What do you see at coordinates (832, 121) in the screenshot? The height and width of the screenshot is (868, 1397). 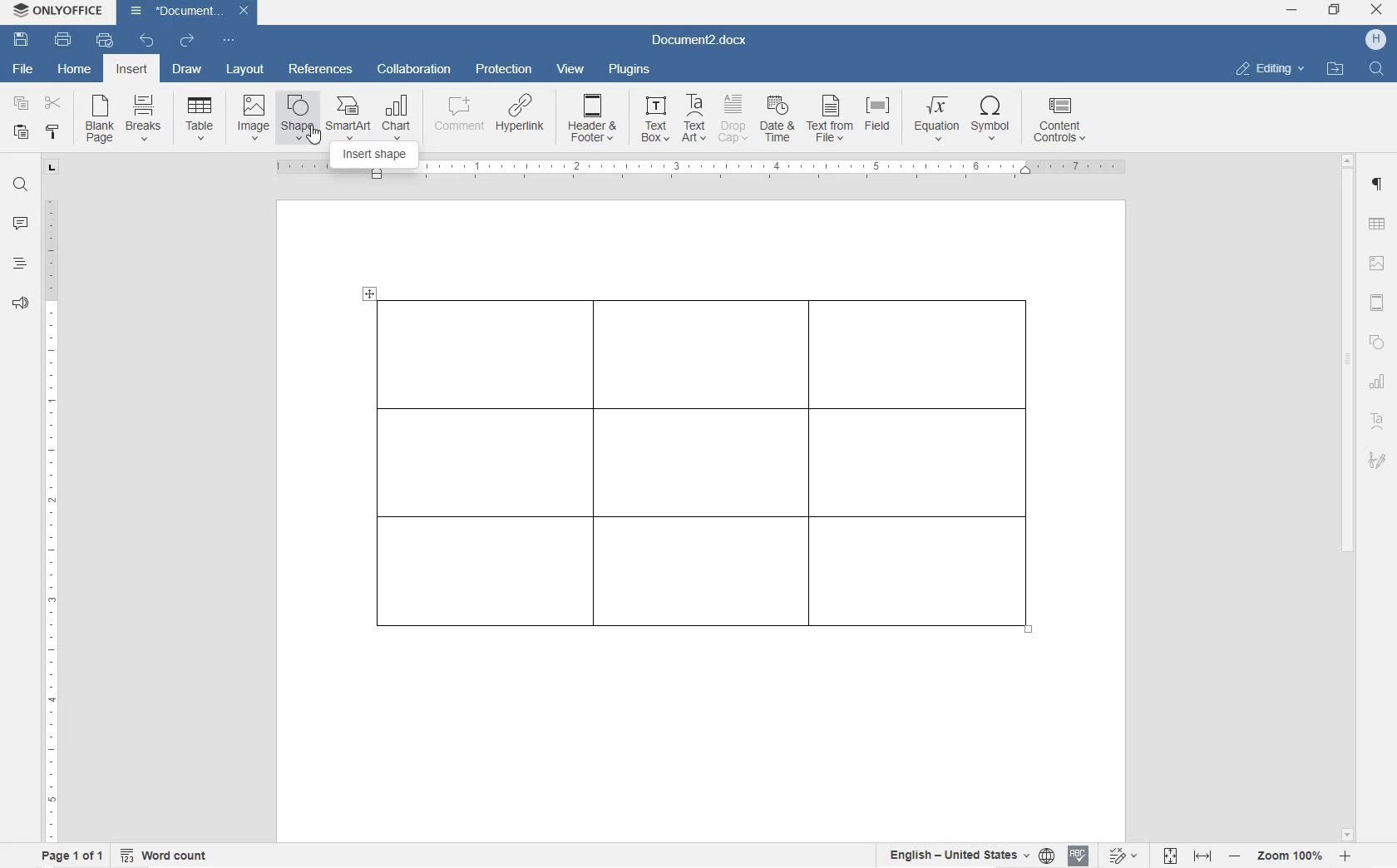 I see `TEXT FROM FILE` at bounding box center [832, 121].